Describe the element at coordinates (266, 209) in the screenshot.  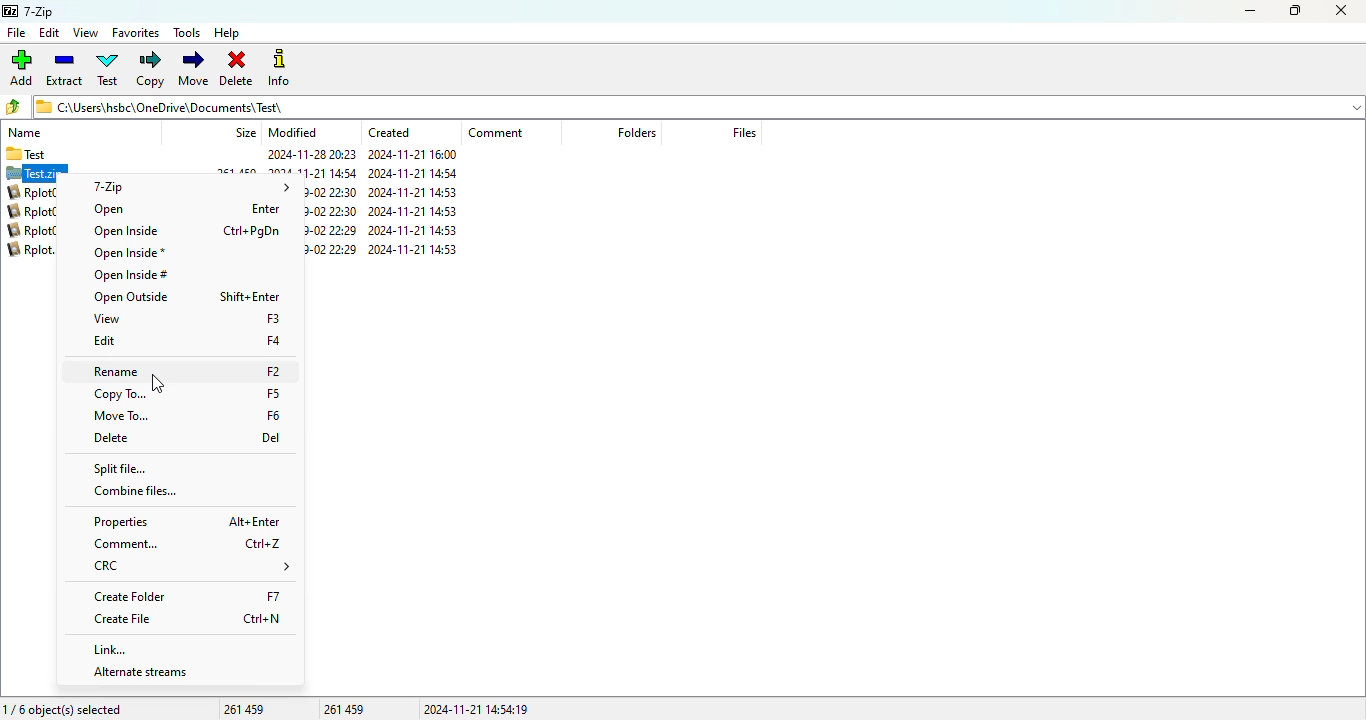
I see `Enter` at that location.